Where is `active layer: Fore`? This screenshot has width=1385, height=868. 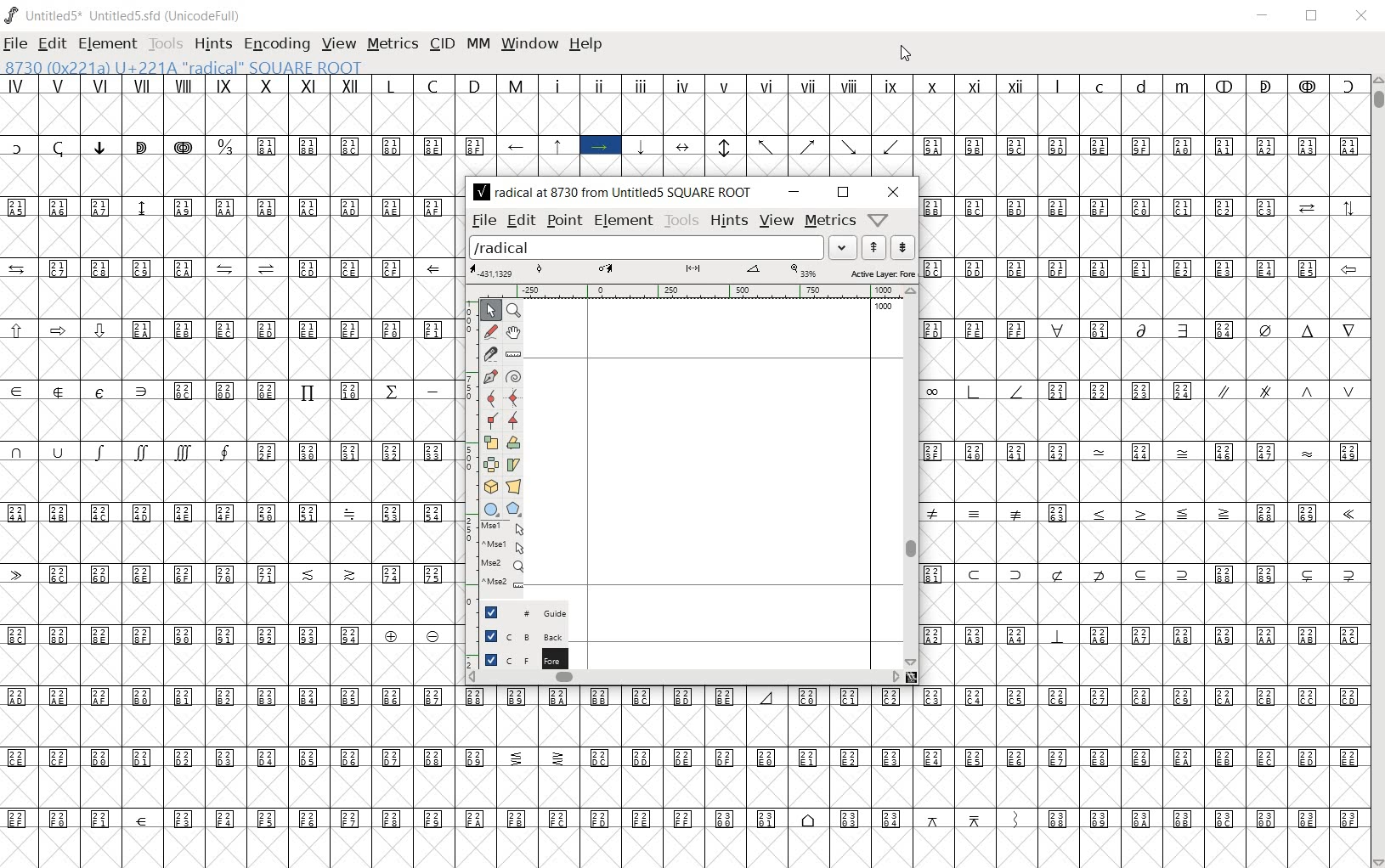 active layer: Fore is located at coordinates (692, 270).